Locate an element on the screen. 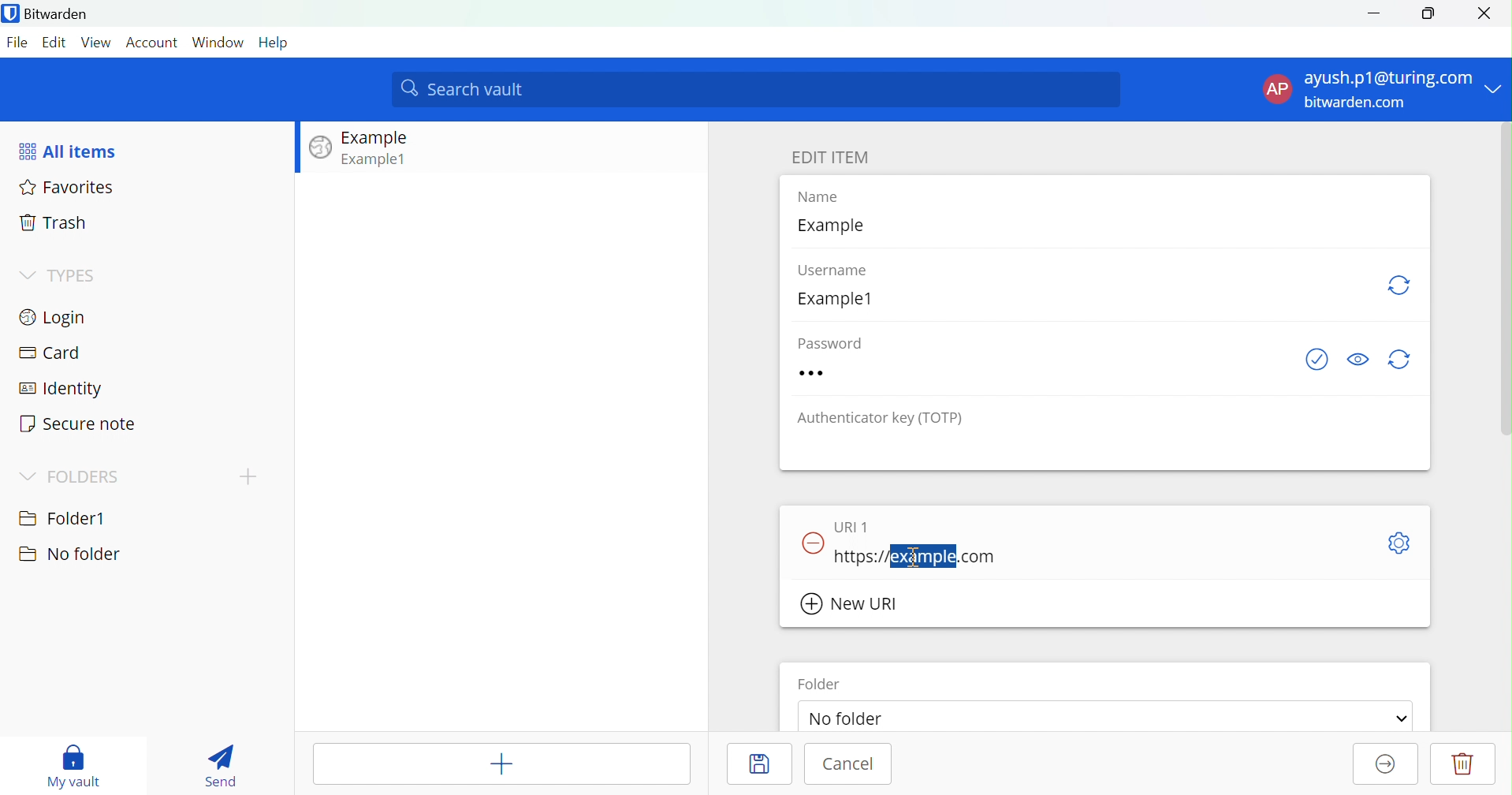 Image resolution: width=1512 pixels, height=795 pixels. Drop Down is located at coordinates (1402, 718).